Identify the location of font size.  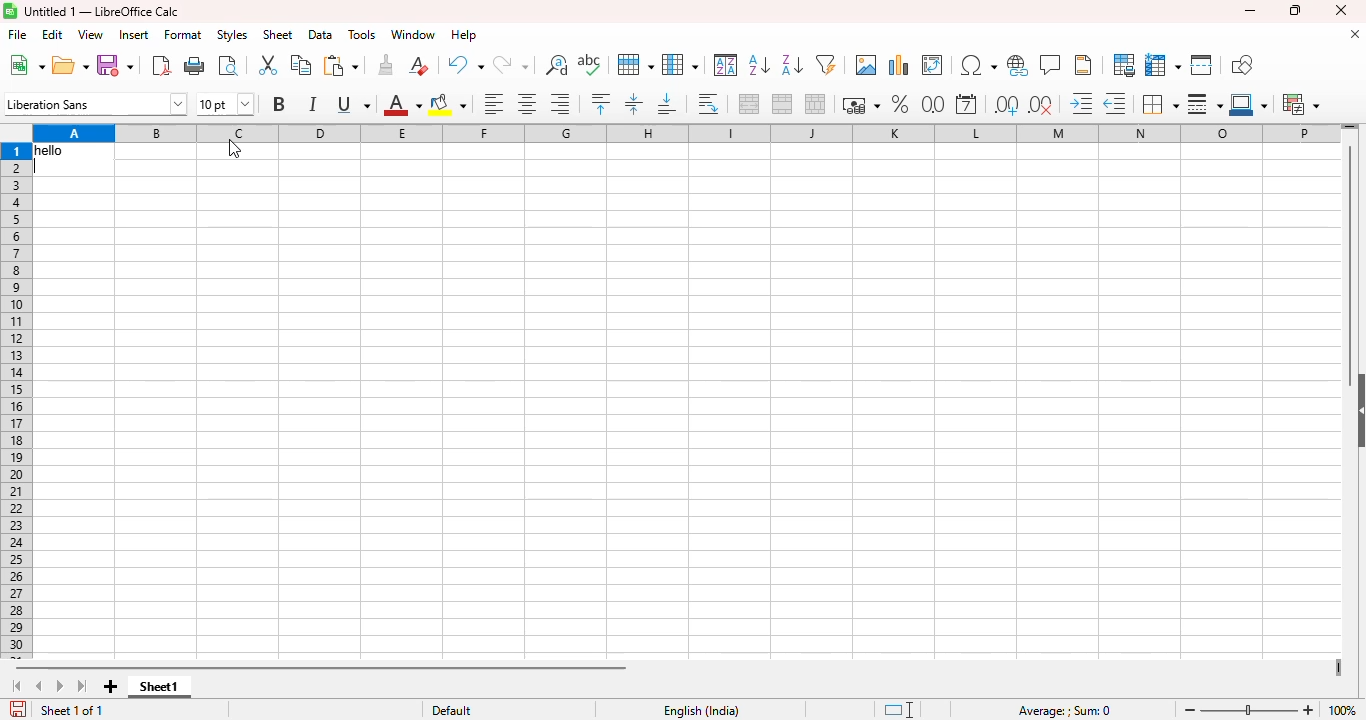
(225, 104).